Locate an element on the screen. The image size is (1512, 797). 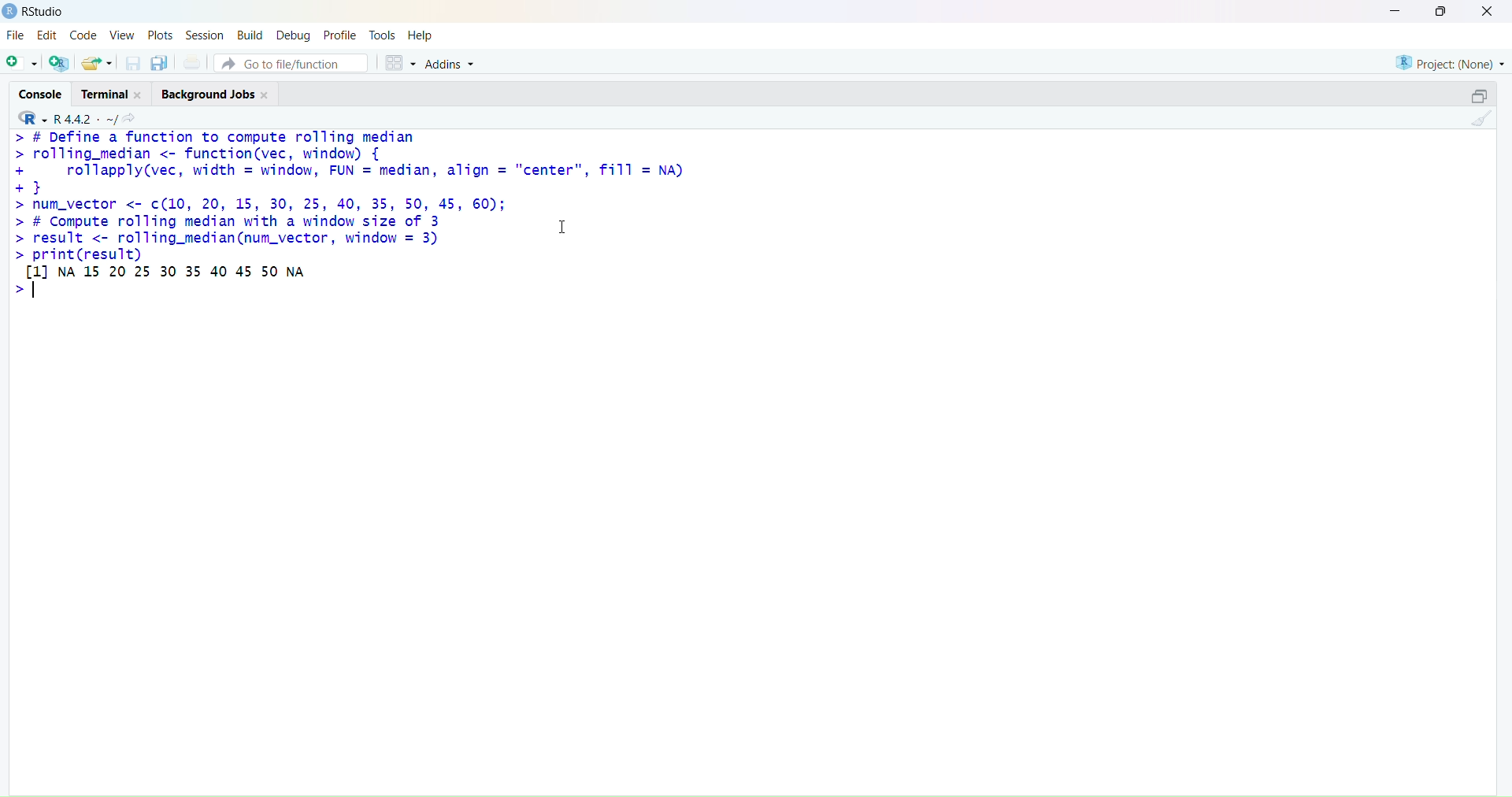
clean is located at coordinates (1481, 118).